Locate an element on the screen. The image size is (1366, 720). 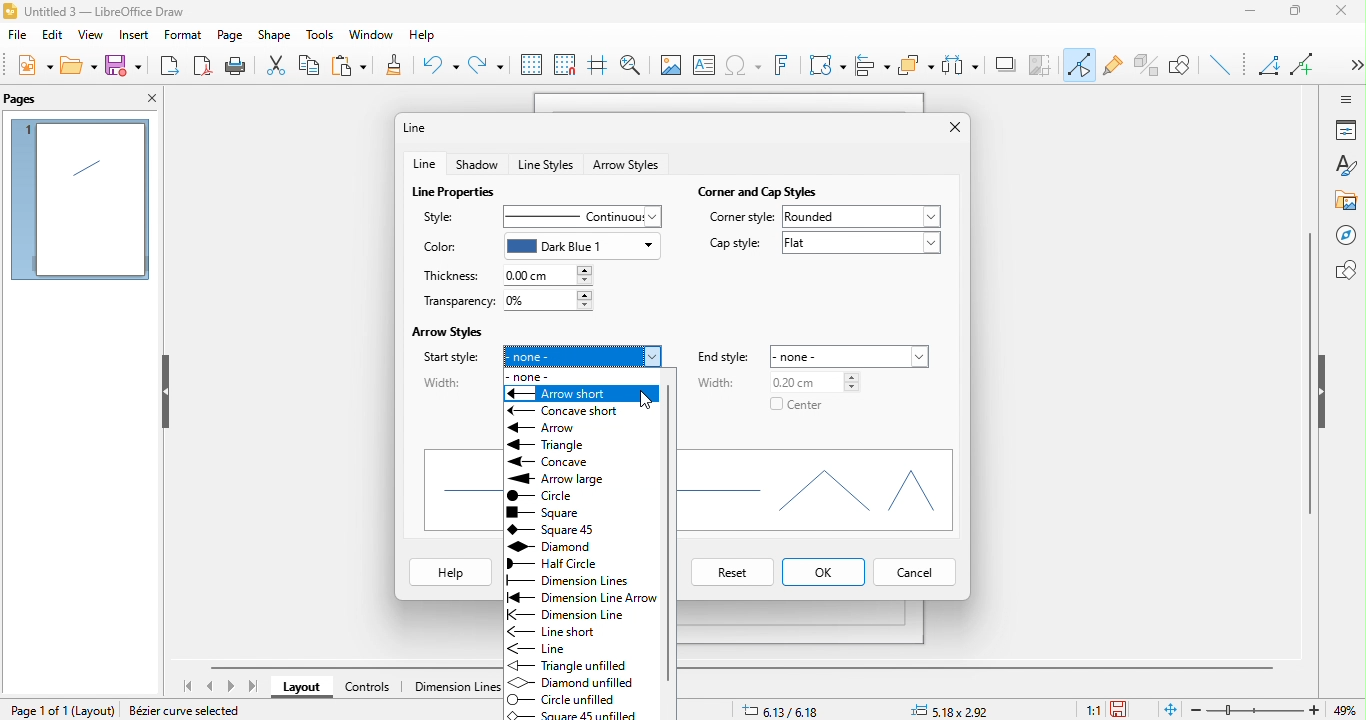
copy is located at coordinates (314, 64).